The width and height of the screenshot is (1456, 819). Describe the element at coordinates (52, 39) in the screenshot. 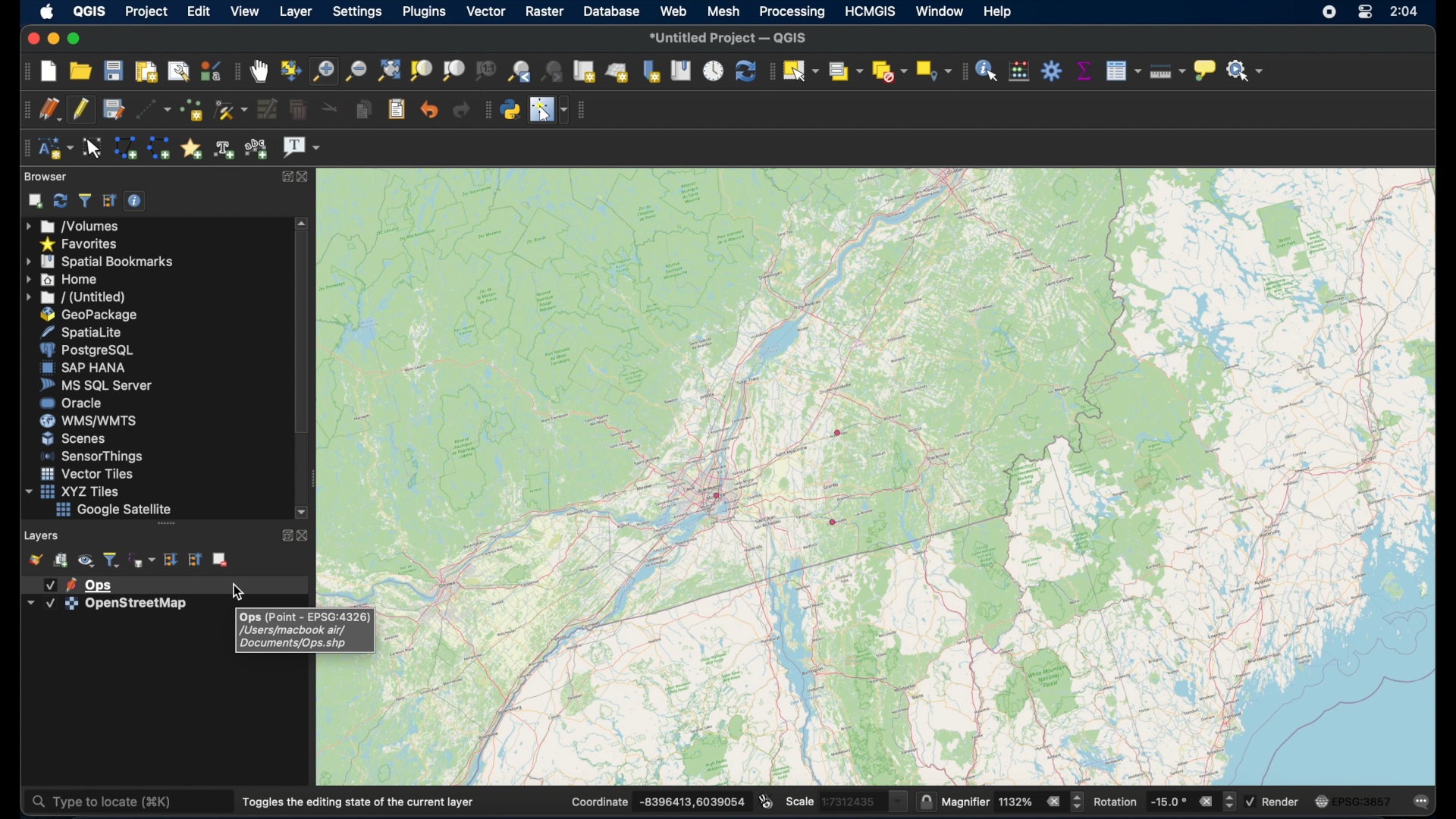

I see `minimize` at that location.